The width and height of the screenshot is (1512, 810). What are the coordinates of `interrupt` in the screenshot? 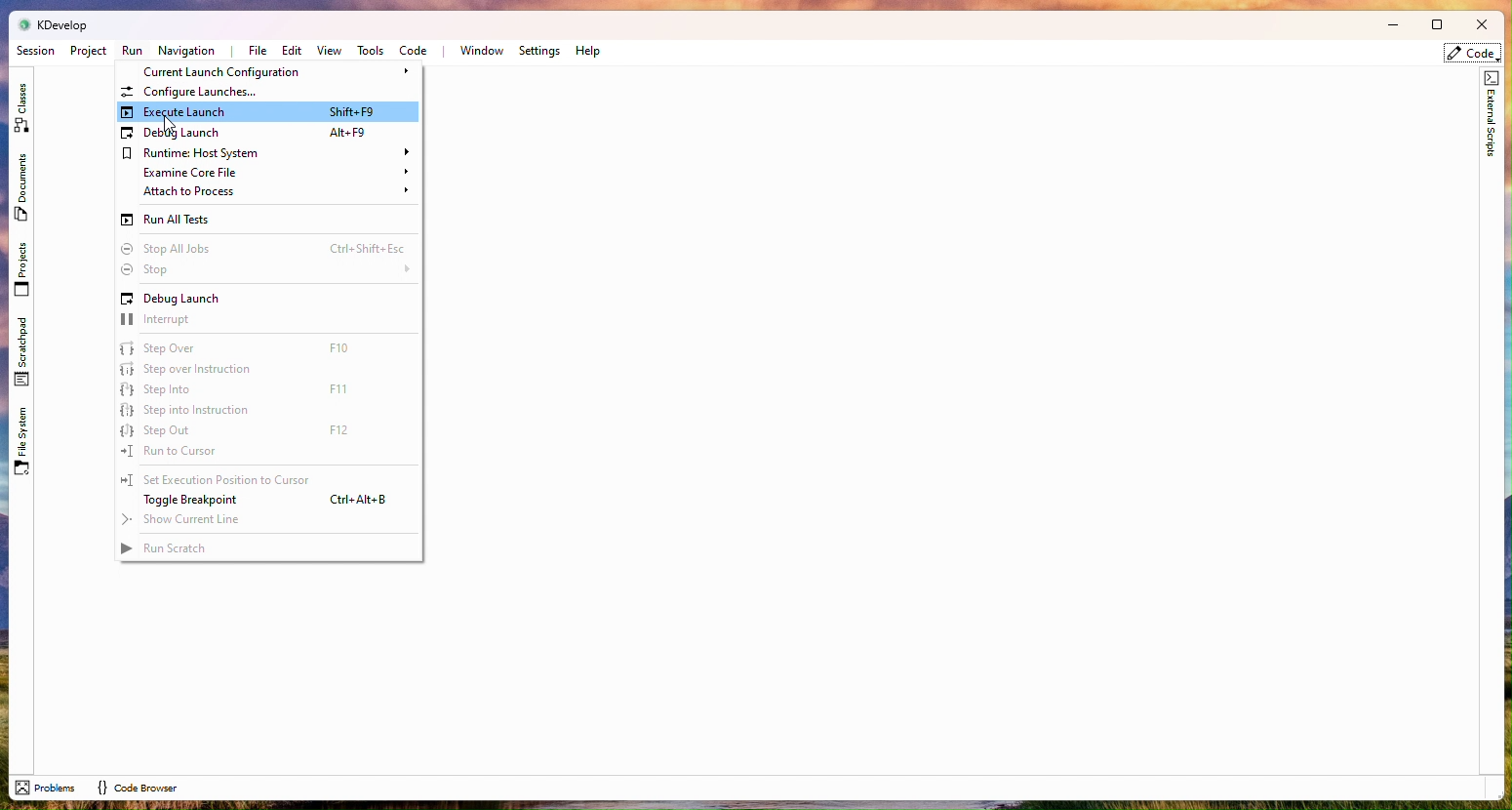 It's located at (263, 319).